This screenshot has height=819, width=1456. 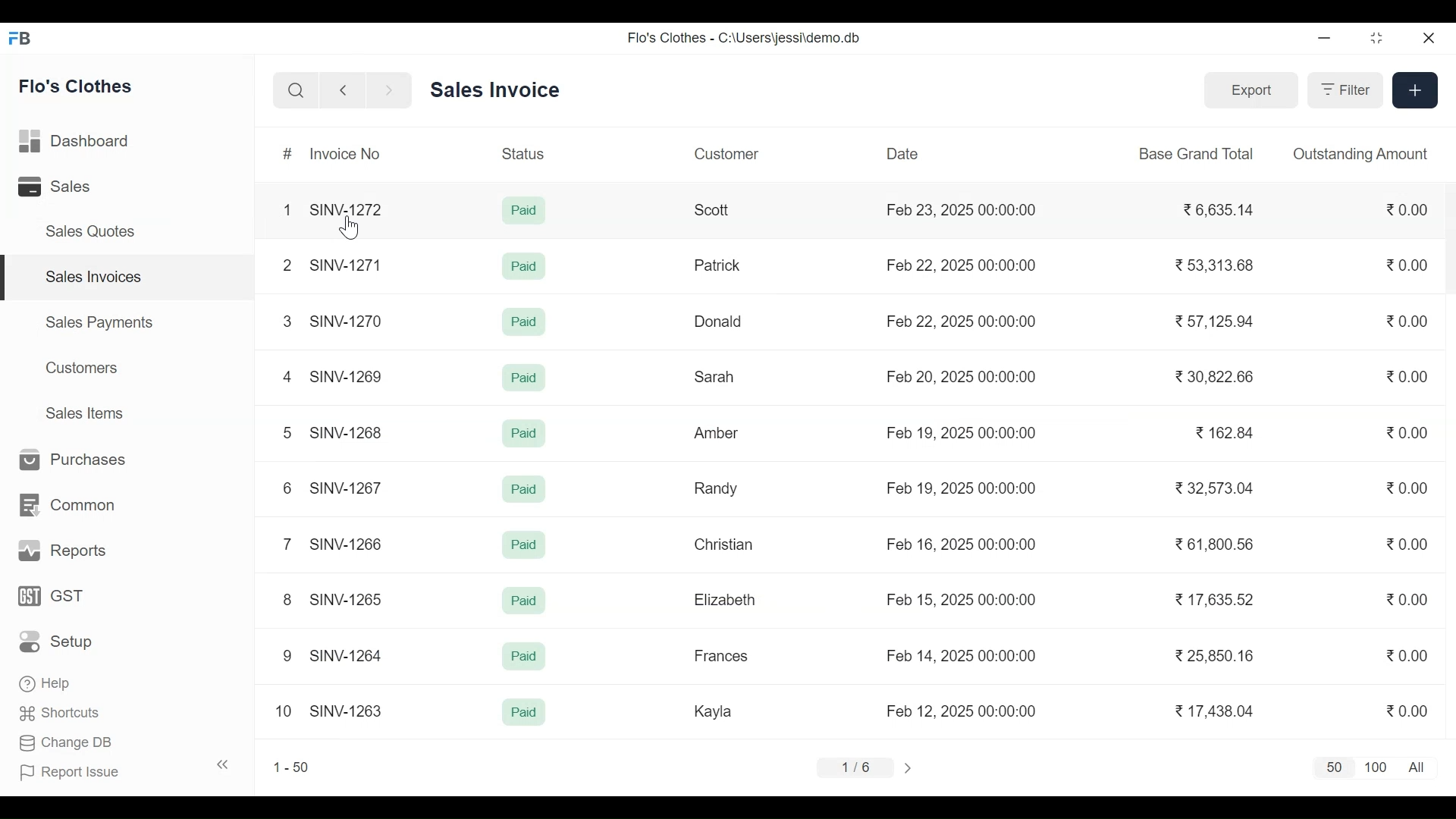 What do you see at coordinates (76, 142) in the screenshot?
I see `Dashboard` at bounding box center [76, 142].